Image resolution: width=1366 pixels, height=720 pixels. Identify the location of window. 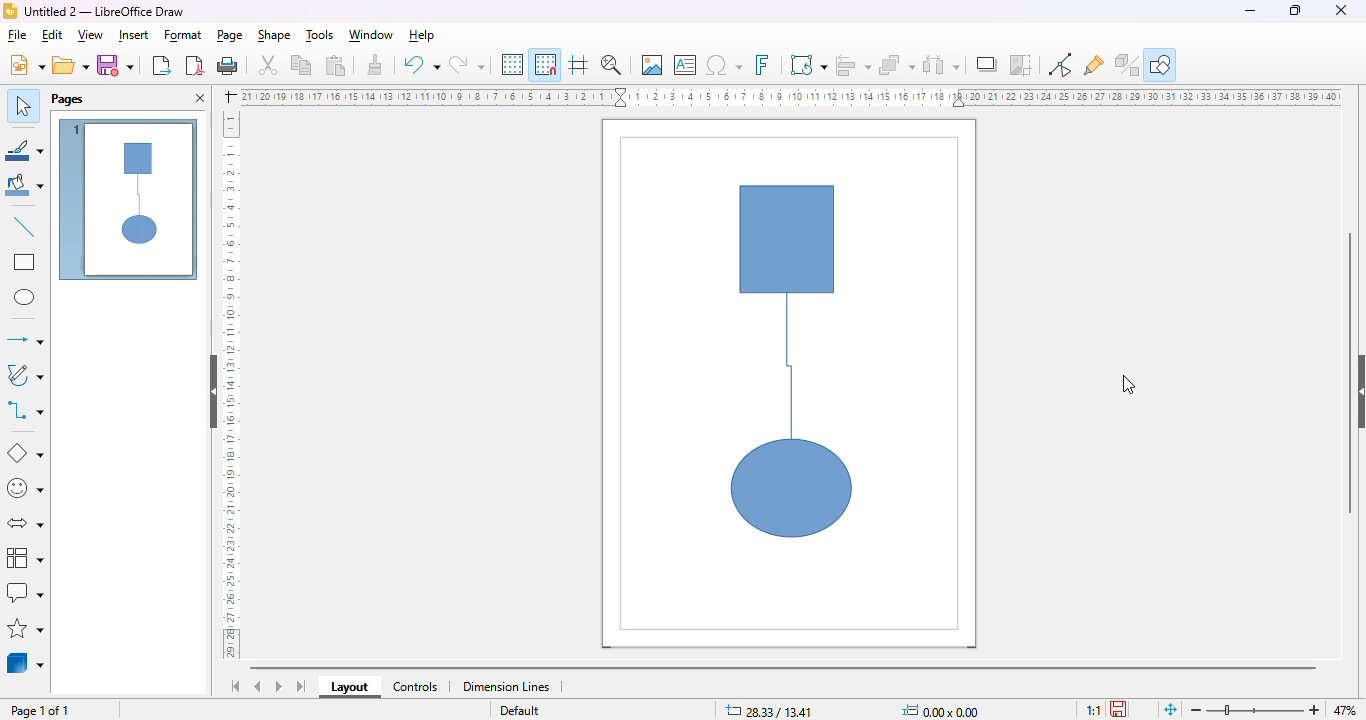
(371, 35).